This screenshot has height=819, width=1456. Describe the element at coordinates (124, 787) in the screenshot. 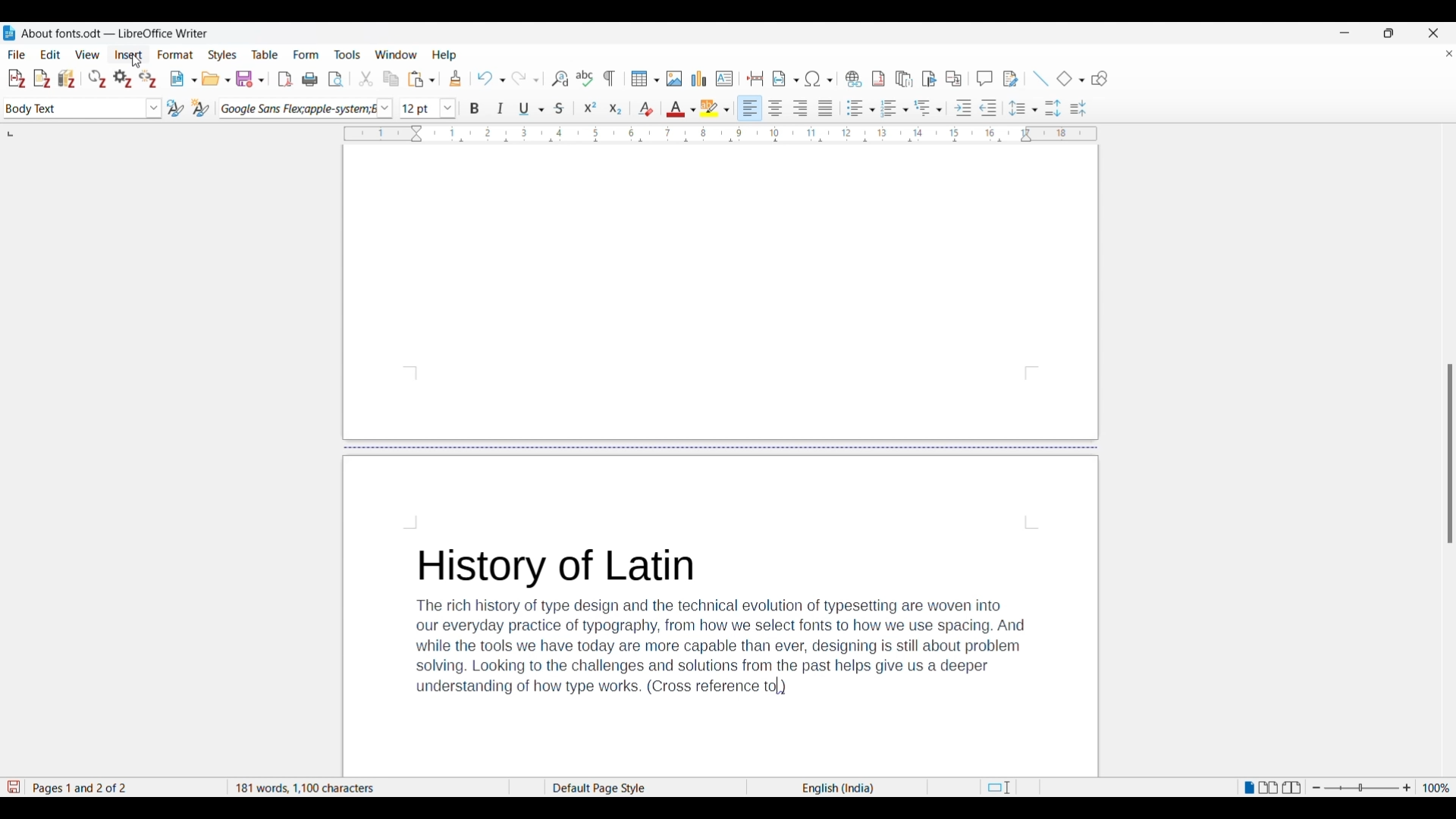

I see `Page 1 and 2 of 2` at that location.